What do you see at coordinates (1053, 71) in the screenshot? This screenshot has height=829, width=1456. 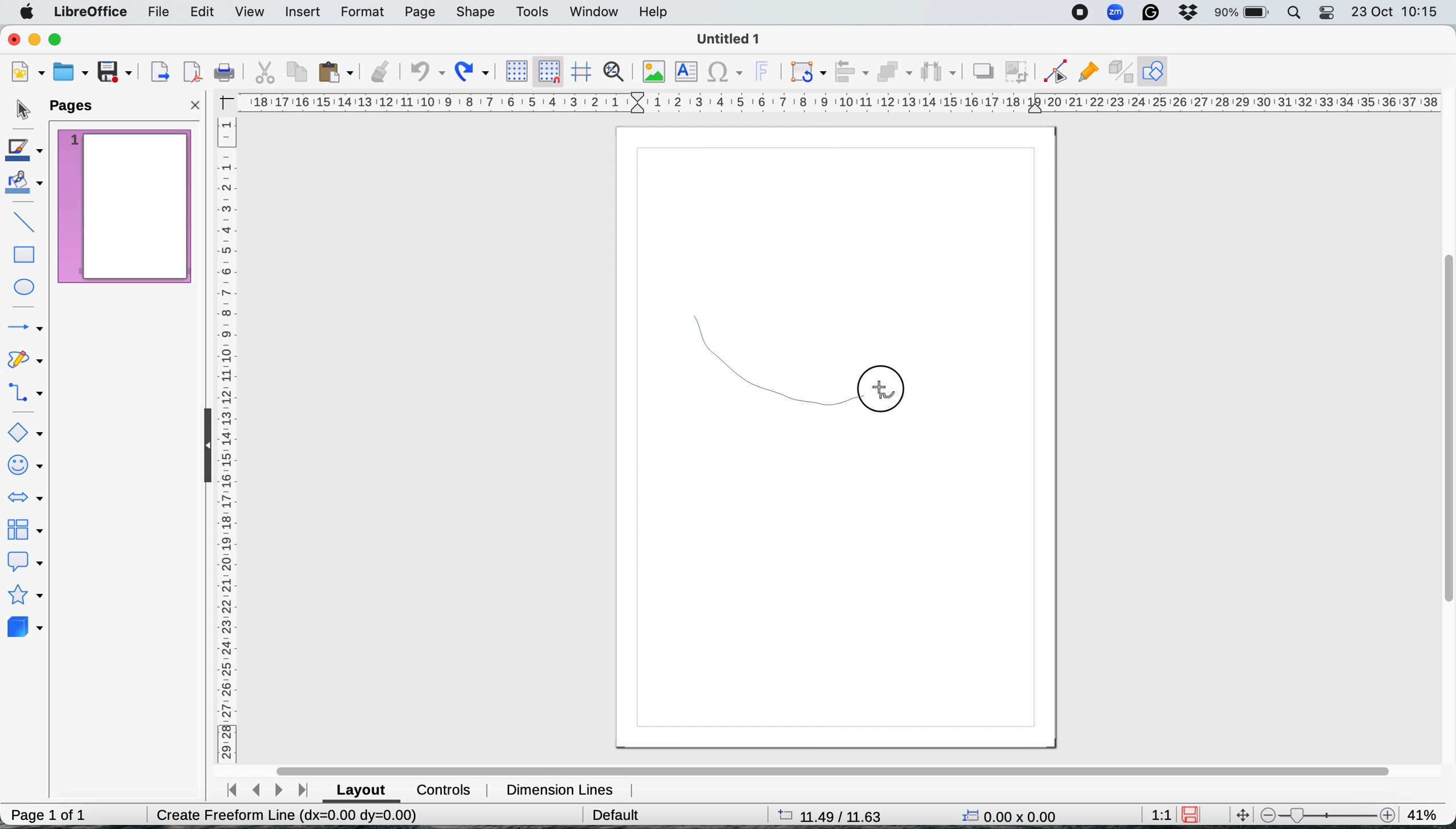 I see `toggle edit point mode` at bounding box center [1053, 71].